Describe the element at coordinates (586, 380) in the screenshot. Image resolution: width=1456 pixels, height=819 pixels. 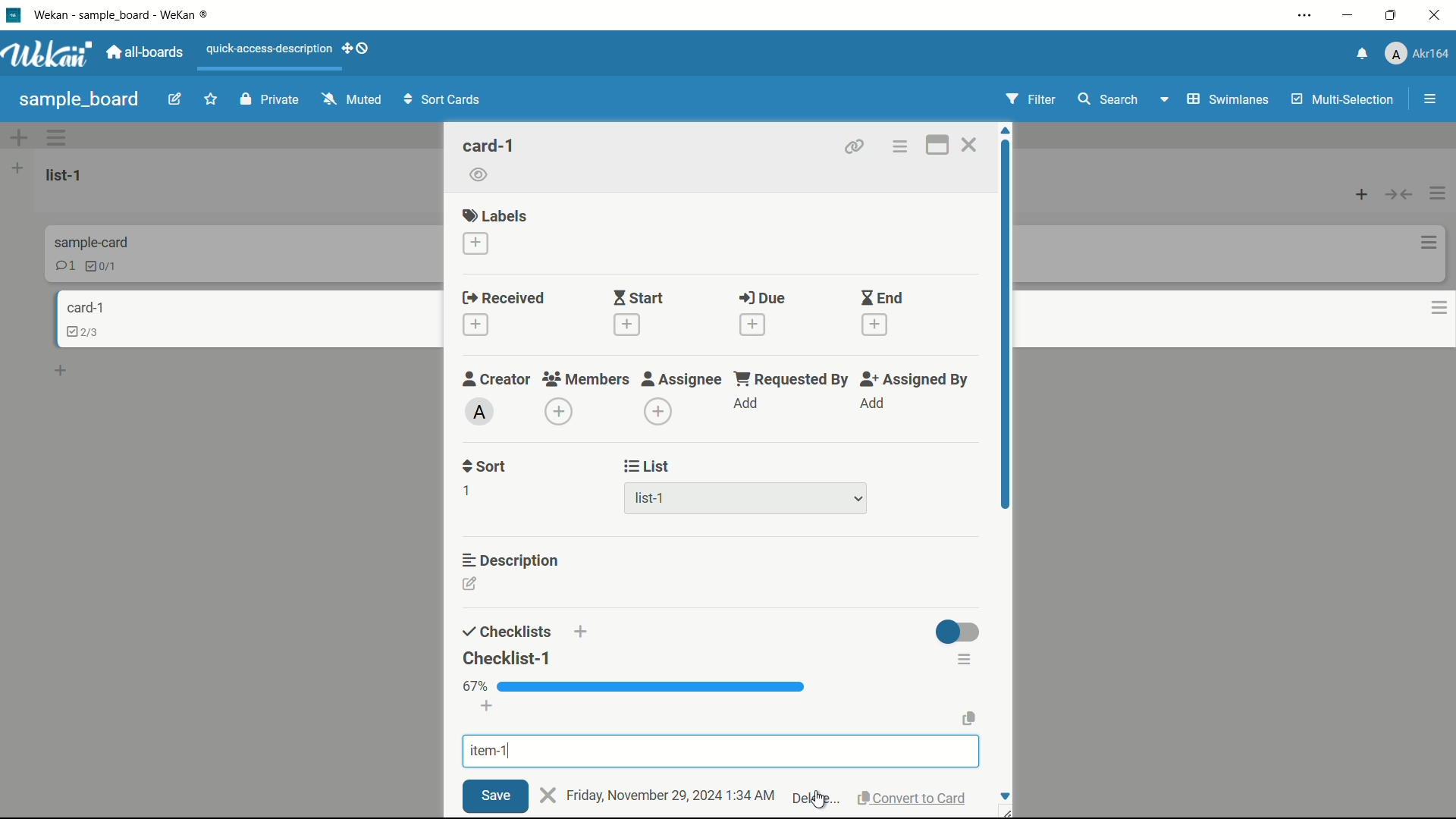
I see `members` at that location.